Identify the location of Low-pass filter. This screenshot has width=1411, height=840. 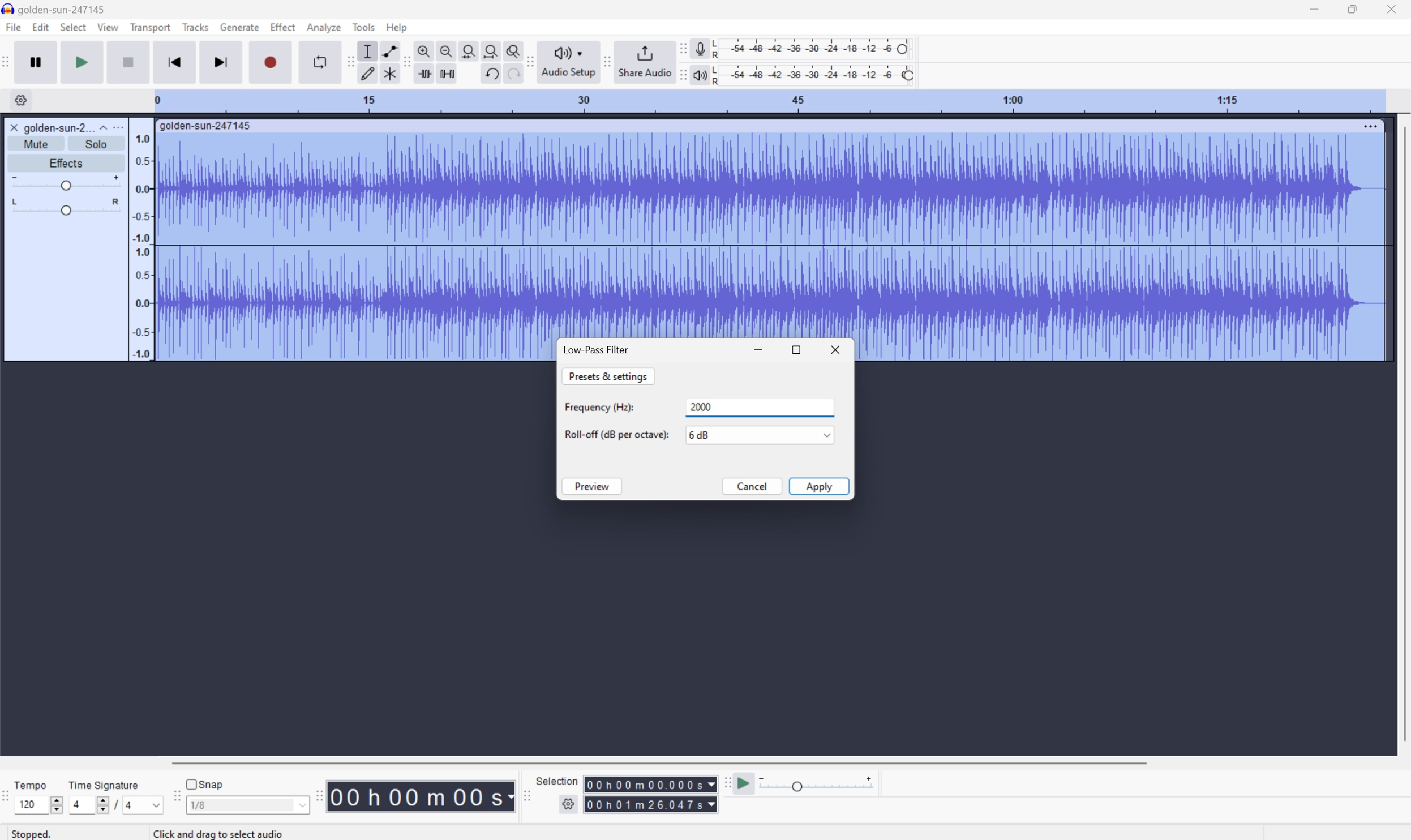
(596, 349).